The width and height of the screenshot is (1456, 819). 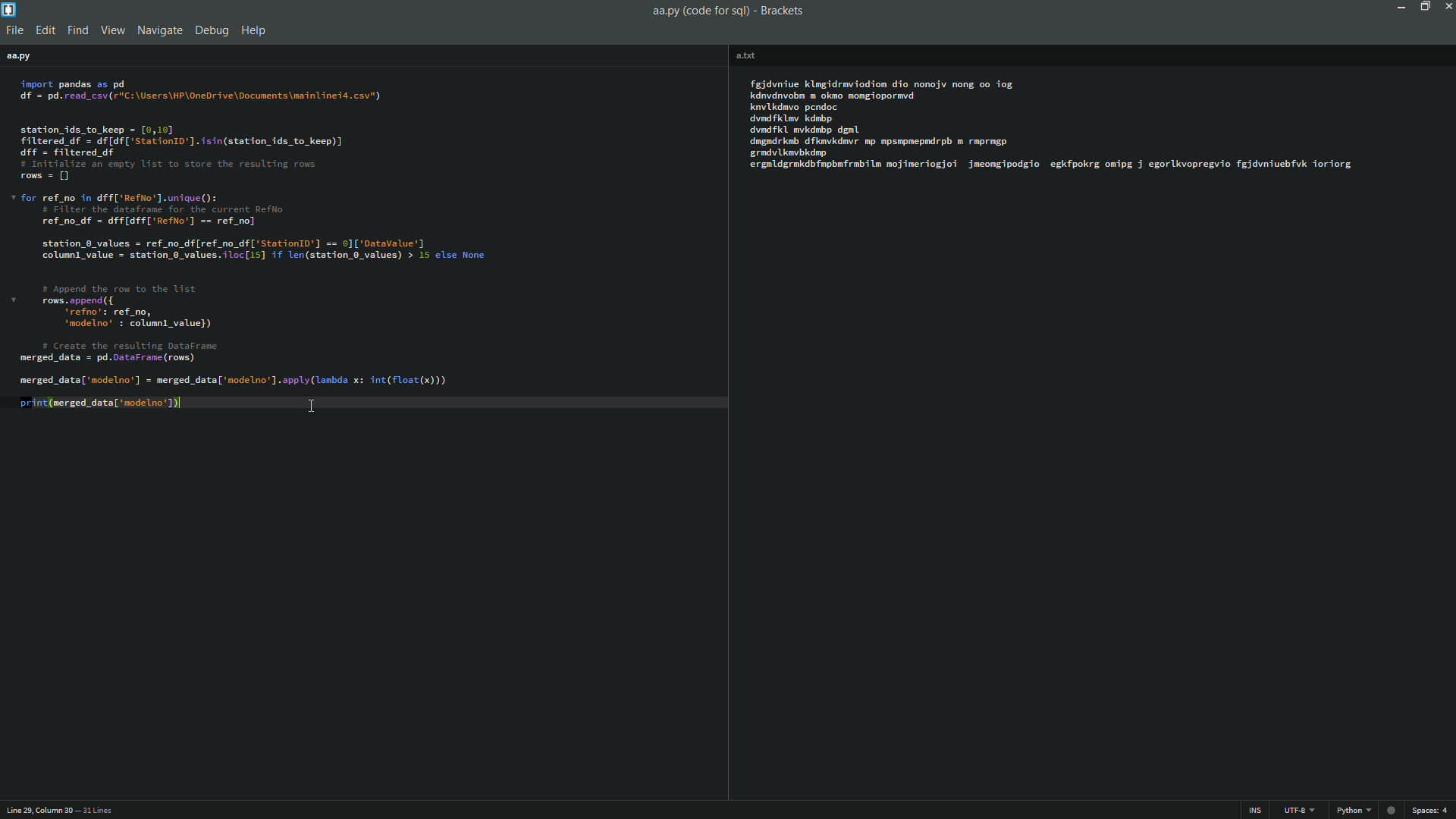 What do you see at coordinates (726, 11) in the screenshot?
I see `aa.py(code for sql) brackets` at bounding box center [726, 11].